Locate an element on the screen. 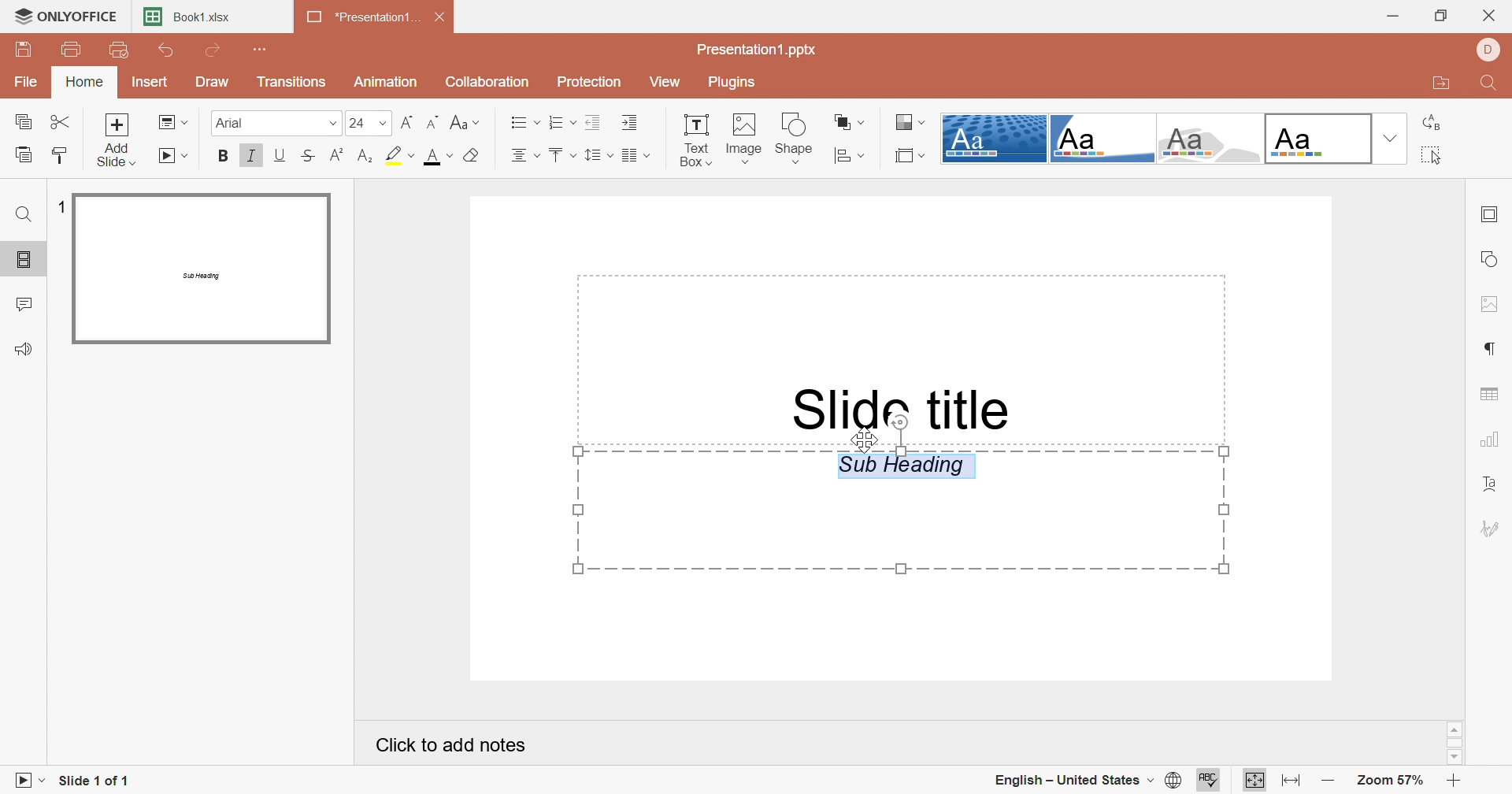 This screenshot has width=1512, height=794. Chart settings is located at coordinates (1489, 442).